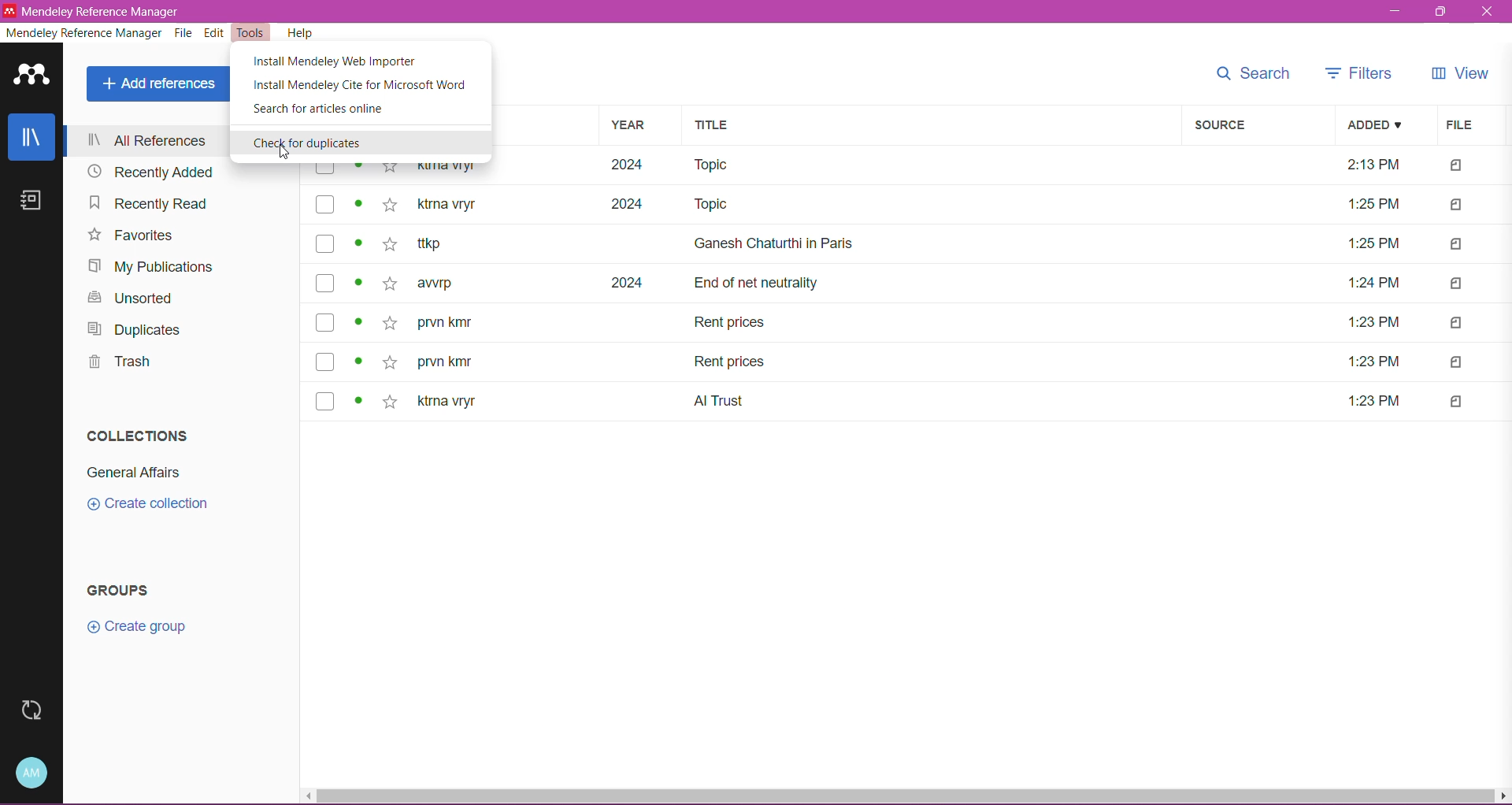  What do you see at coordinates (35, 202) in the screenshot?
I see `Notes` at bounding box center [35, 202].